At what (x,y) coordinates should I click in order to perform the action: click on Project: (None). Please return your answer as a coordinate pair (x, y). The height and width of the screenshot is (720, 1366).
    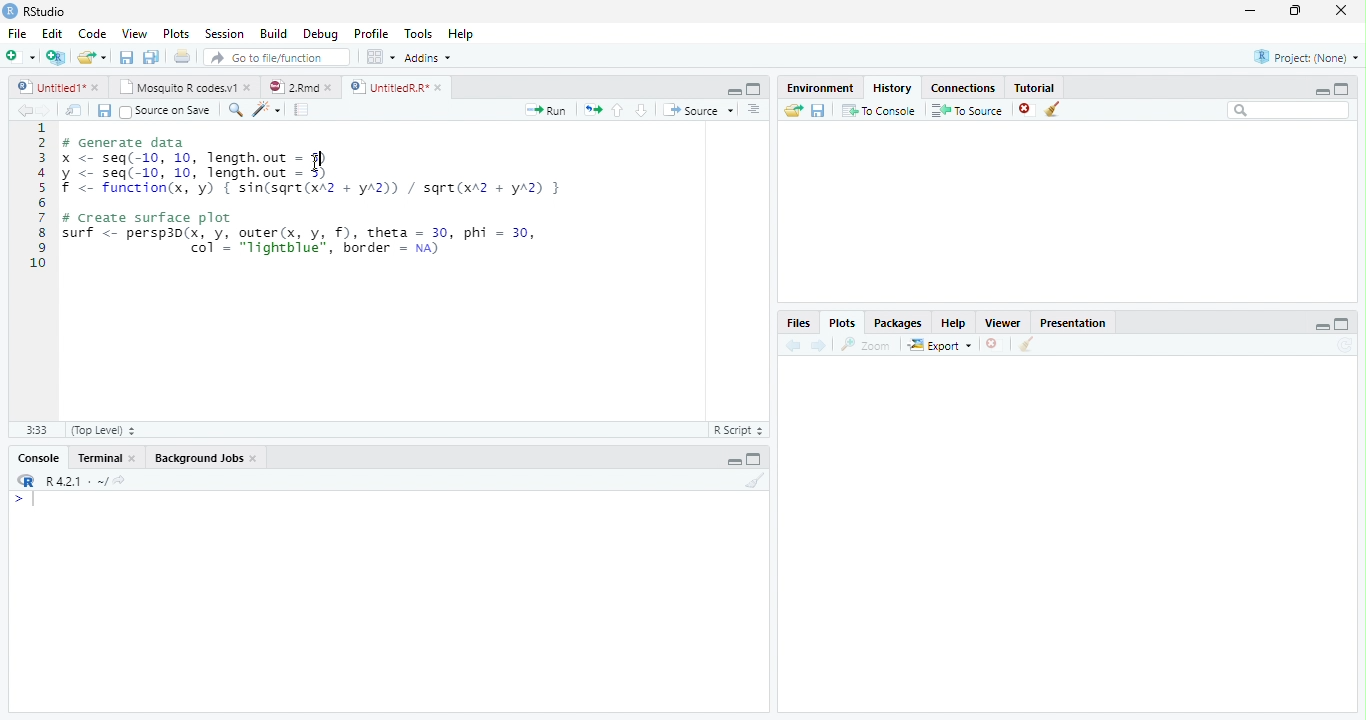
    Looking at the image, I should click on (1306, 57).